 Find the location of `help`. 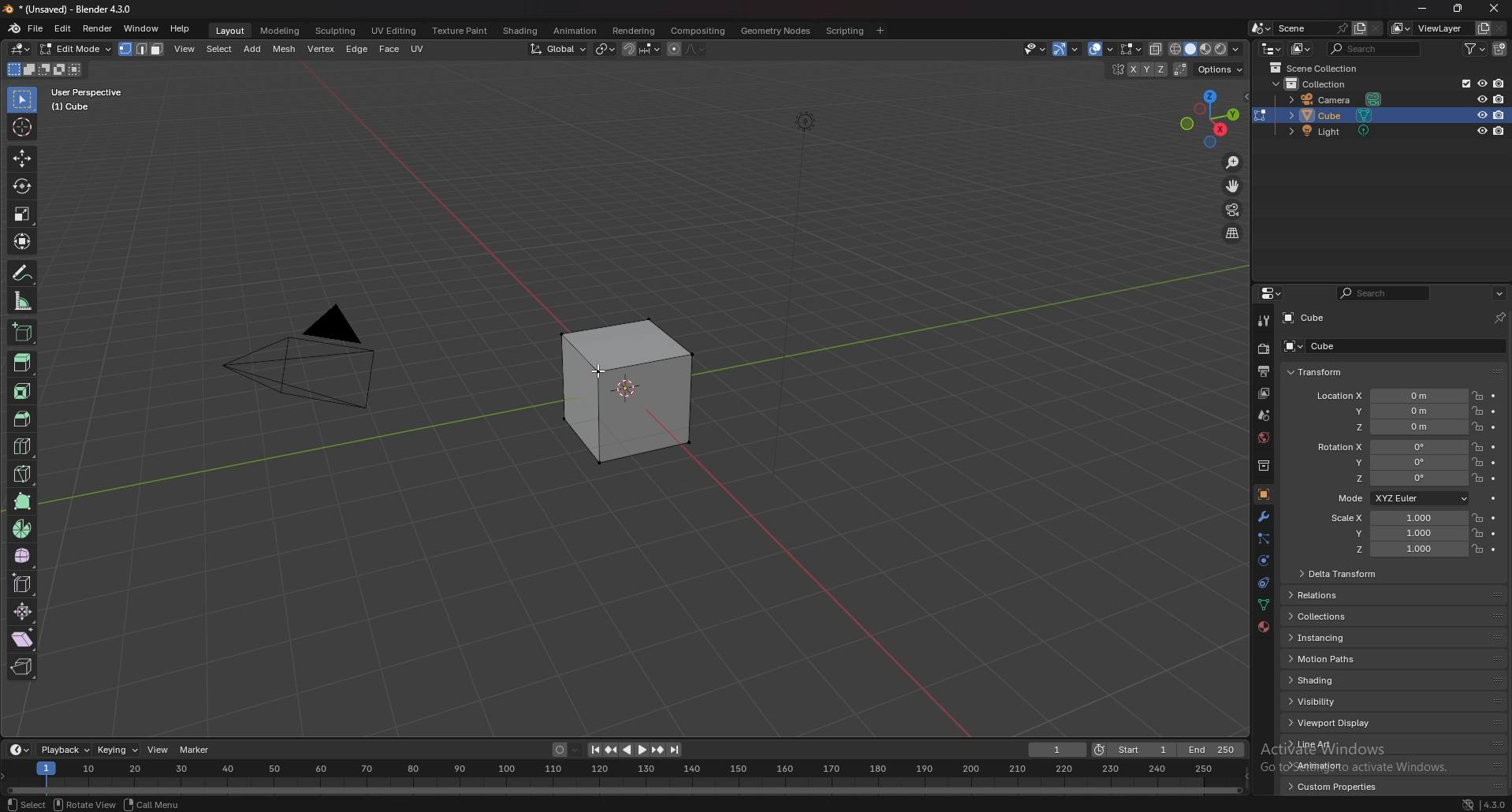

help is located at coordinates (181, 28).